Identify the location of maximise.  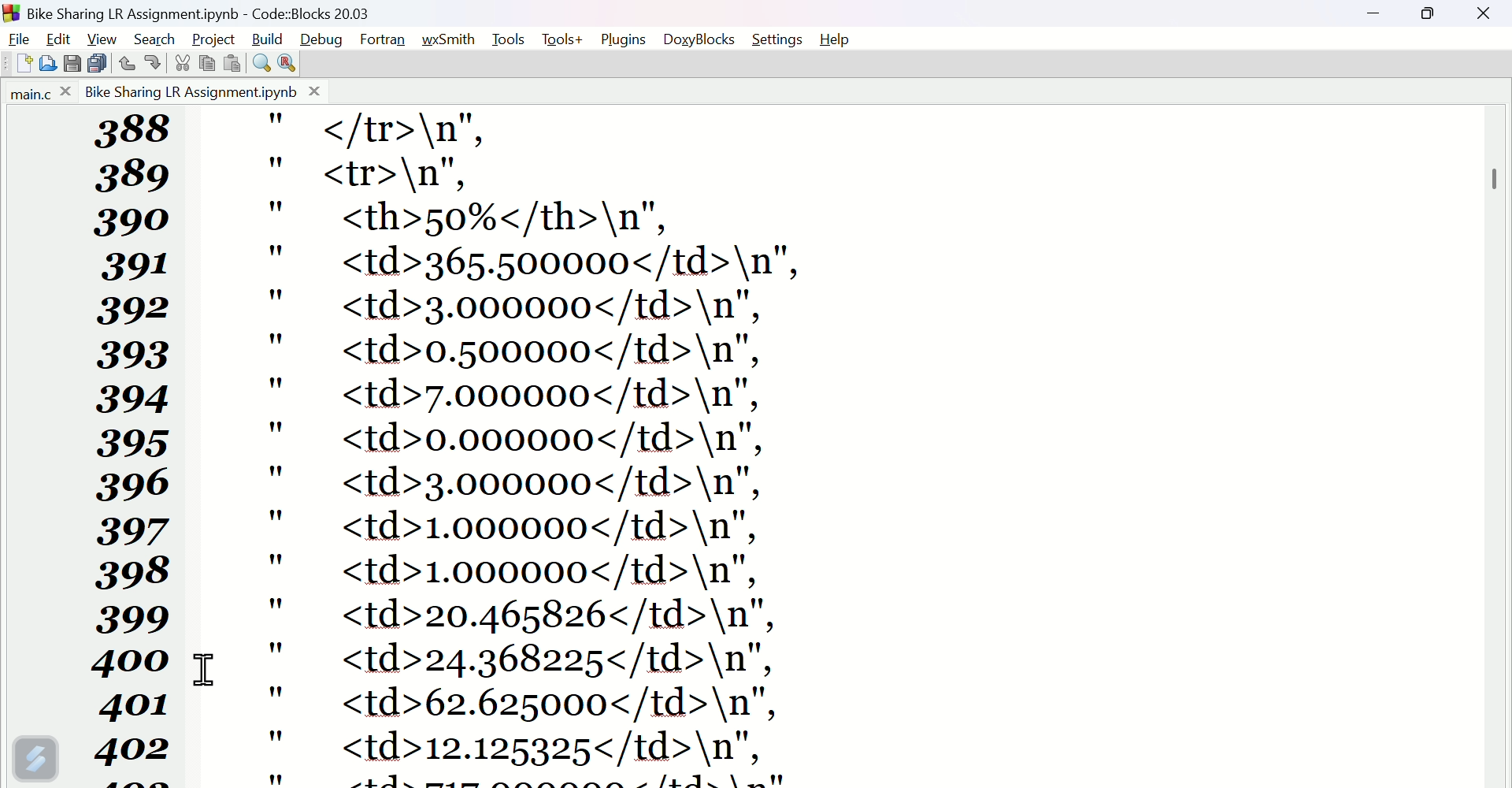
(1434, 17).